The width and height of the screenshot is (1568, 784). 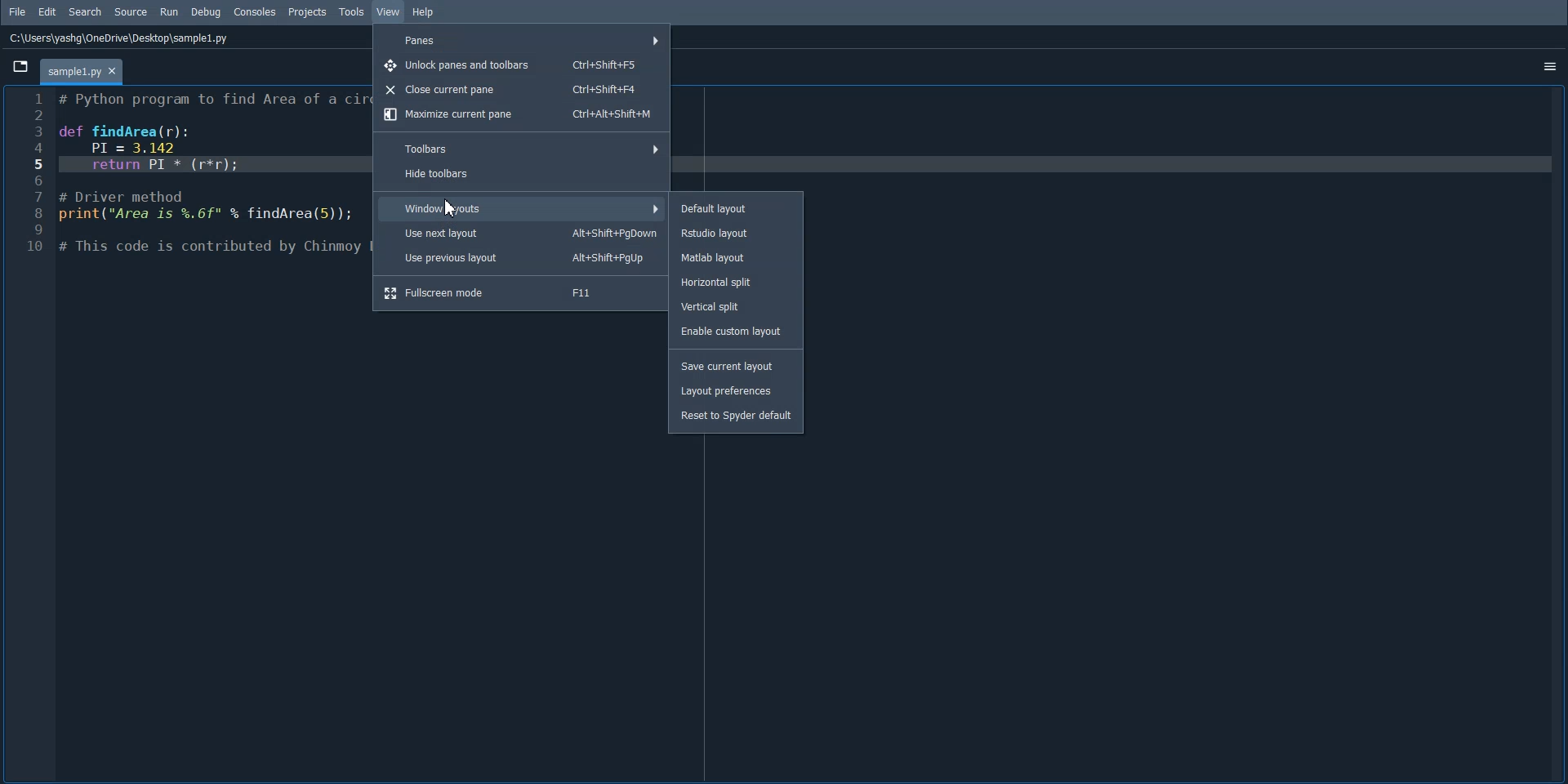 I want to click on Reset to spyder default, so click(x=736, y=417).